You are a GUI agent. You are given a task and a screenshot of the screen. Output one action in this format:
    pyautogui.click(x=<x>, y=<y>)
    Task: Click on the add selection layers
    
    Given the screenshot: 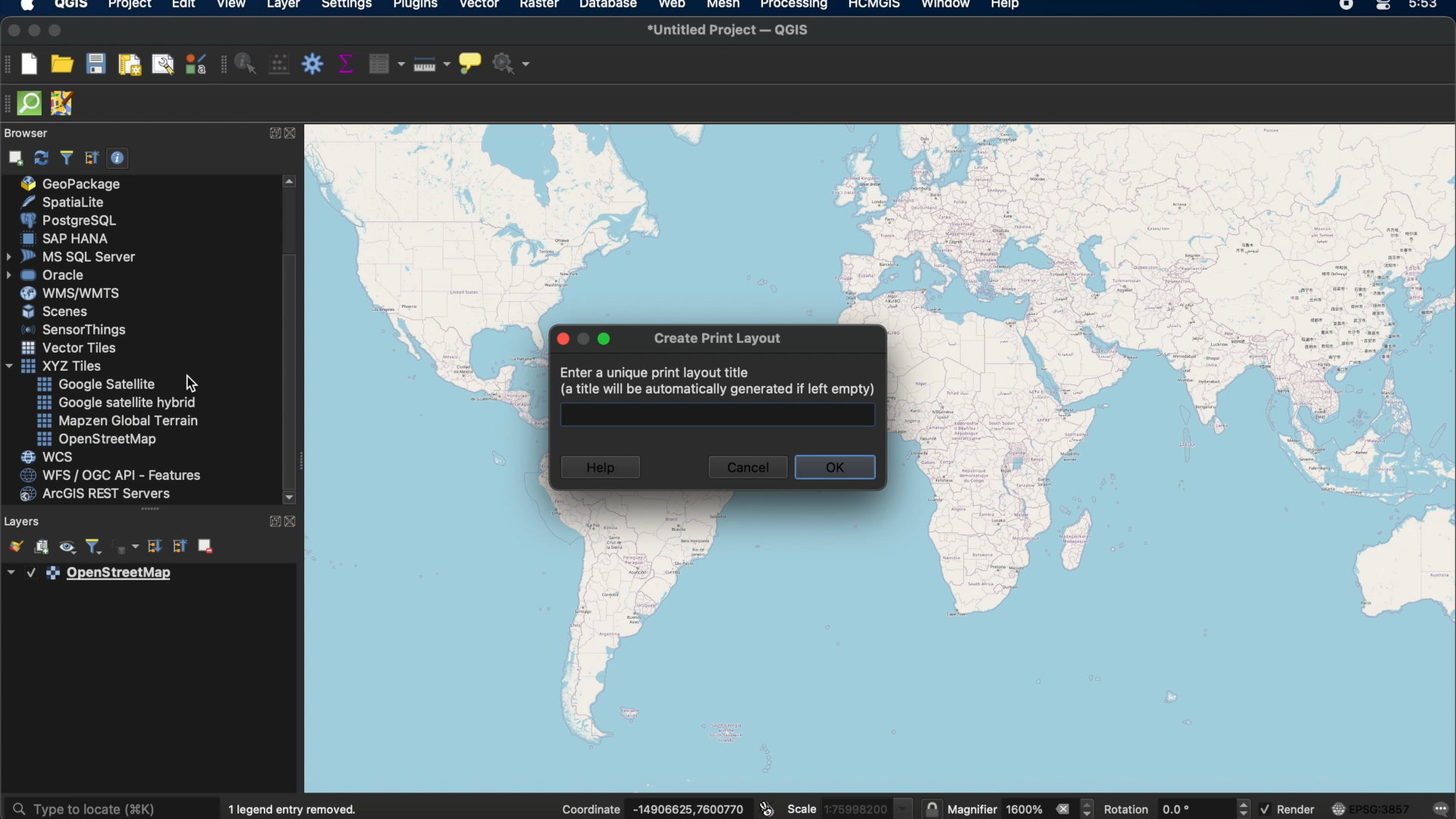 What is the action you would take?
    pyautogui.click(x=12, y=158)
    